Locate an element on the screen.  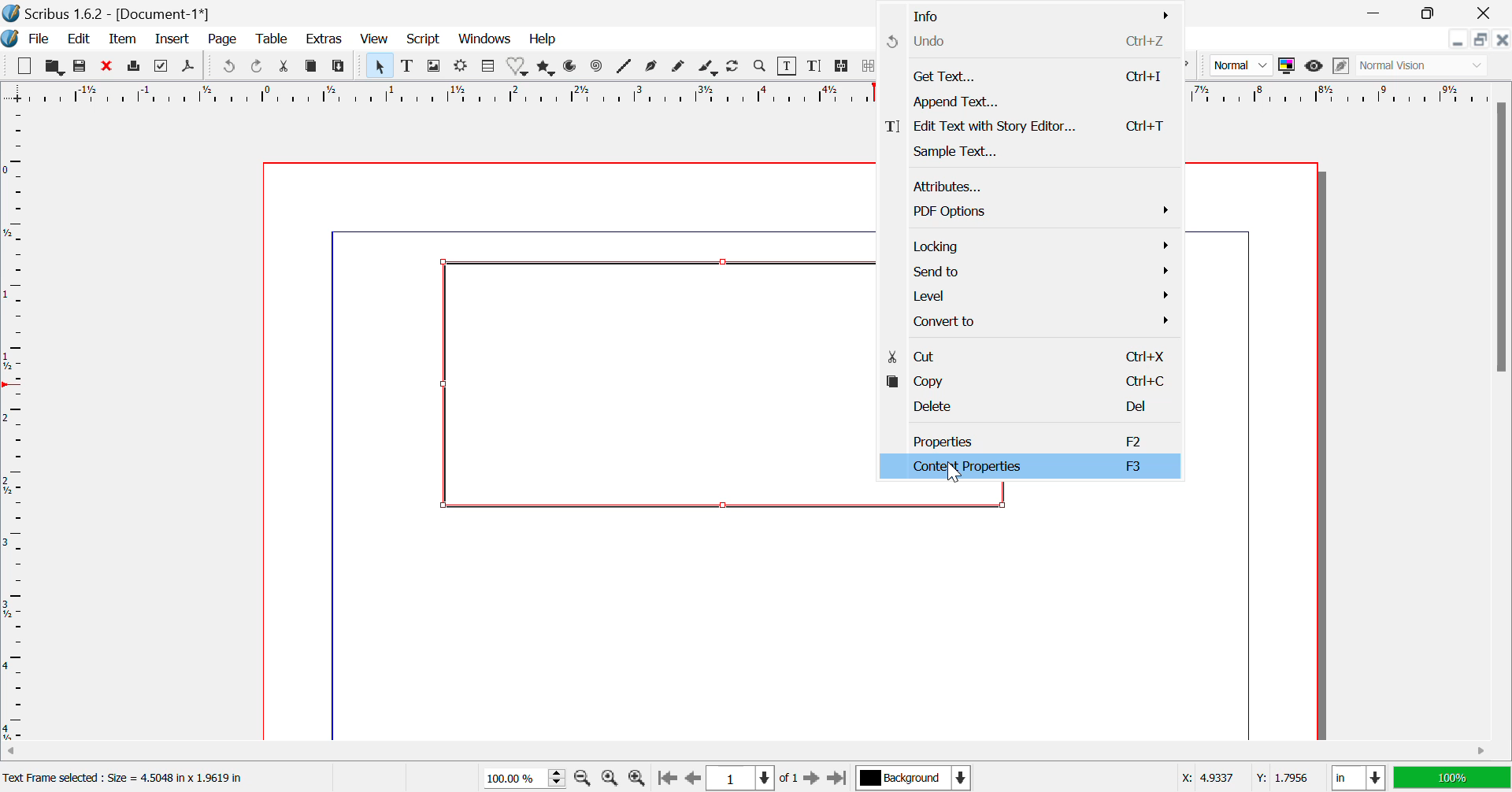
Freehand Line is located at coordinates (679, 69).